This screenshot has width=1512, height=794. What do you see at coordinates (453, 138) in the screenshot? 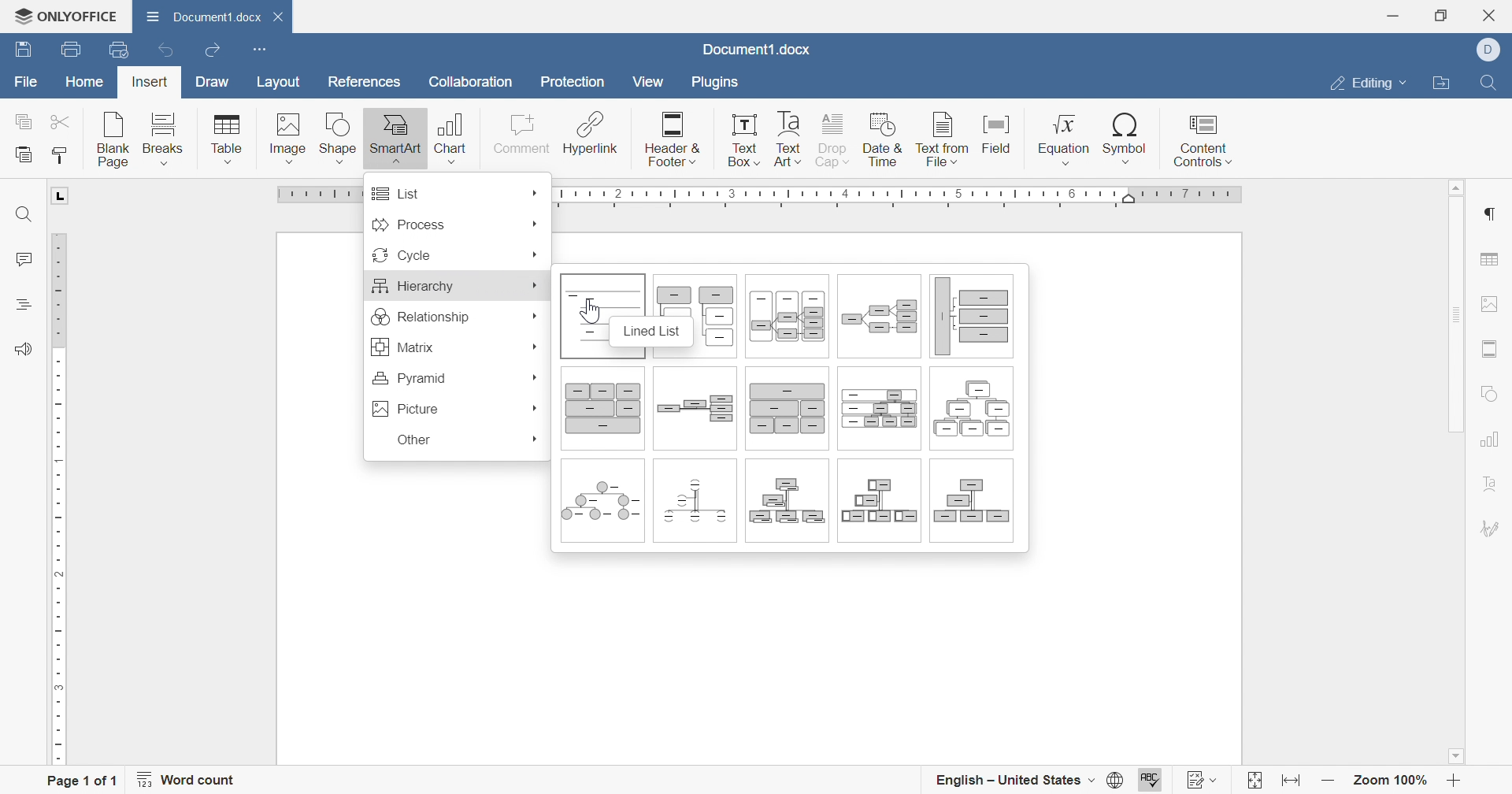
I see `Chart` at bounding box center [453, 138].